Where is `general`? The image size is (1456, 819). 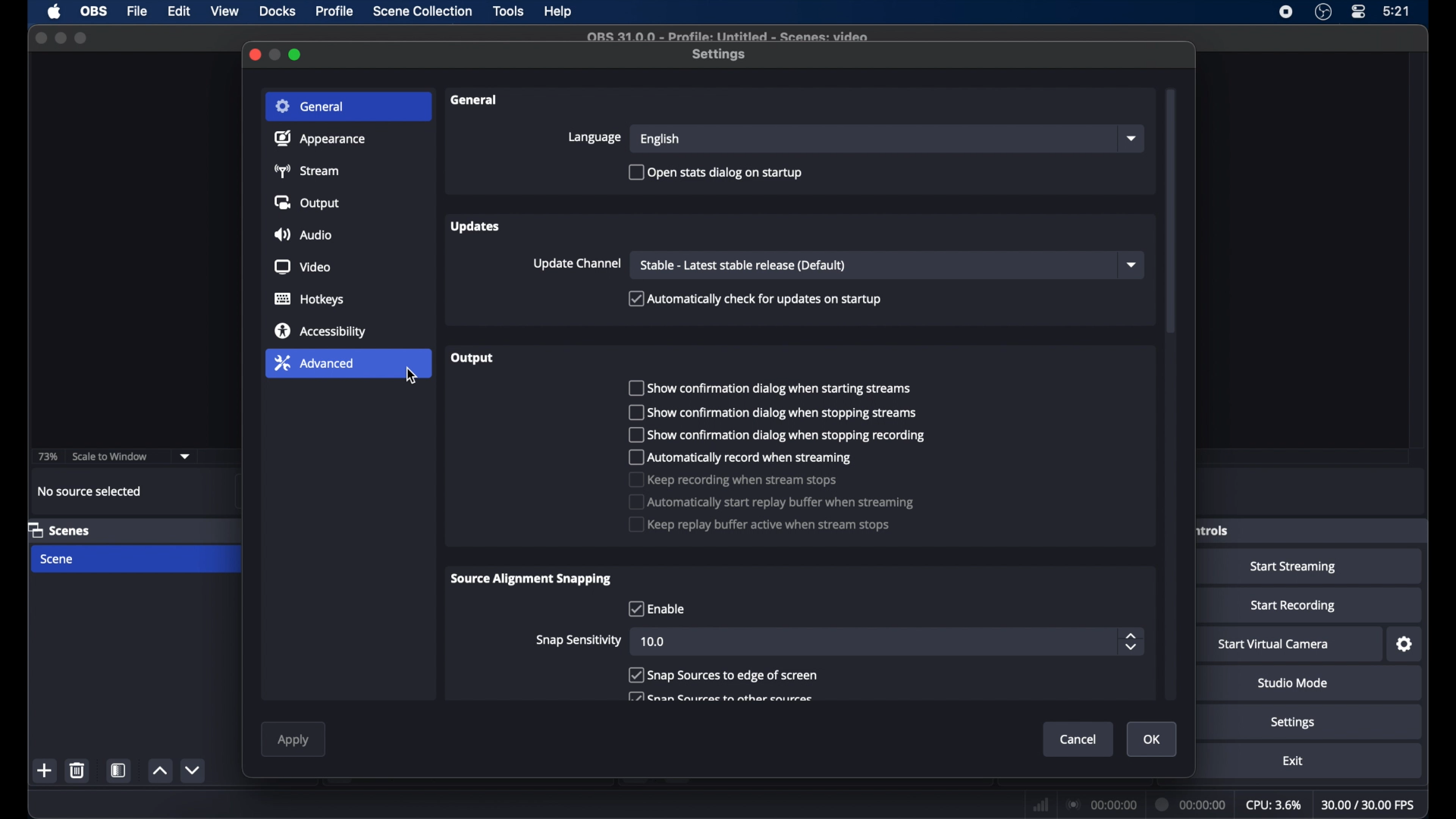 general is located at coordinates (473, 99).